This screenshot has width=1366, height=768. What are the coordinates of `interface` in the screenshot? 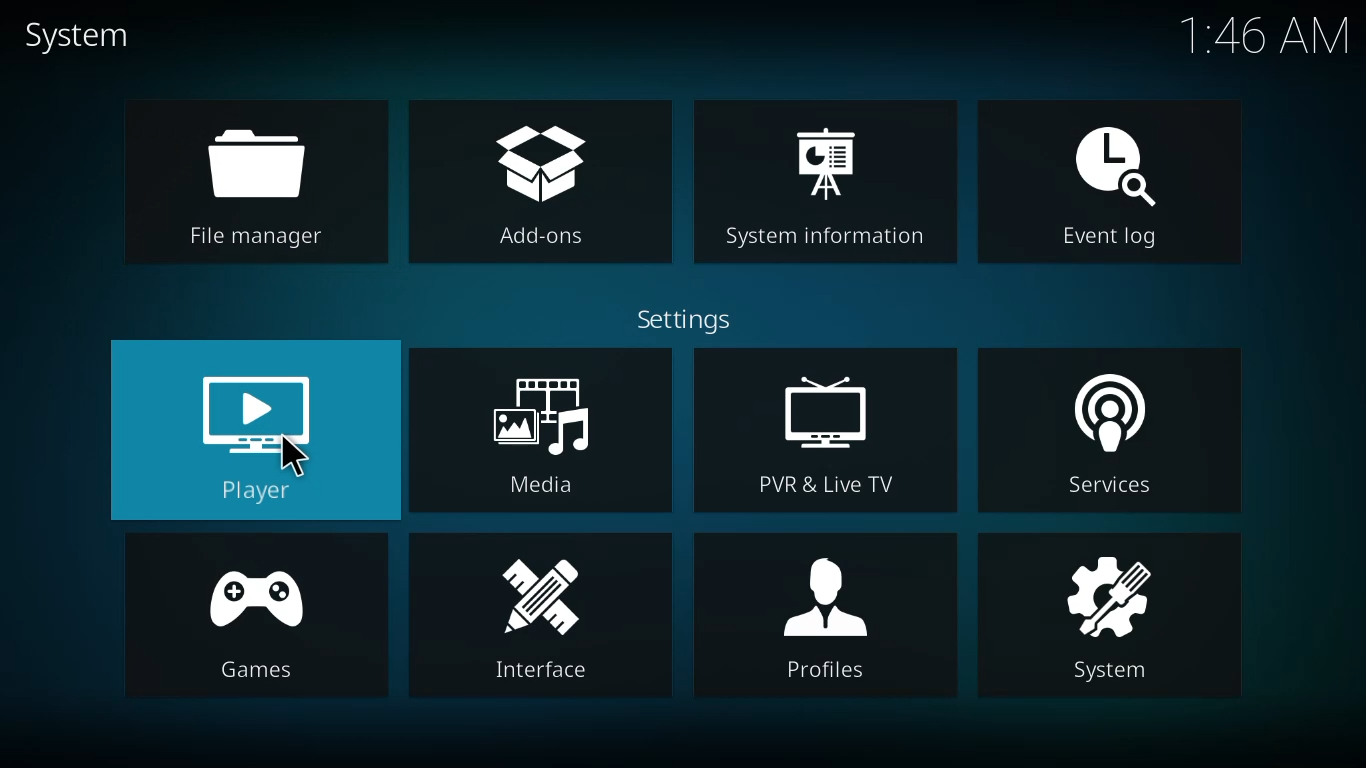 It's located at (542, 620).